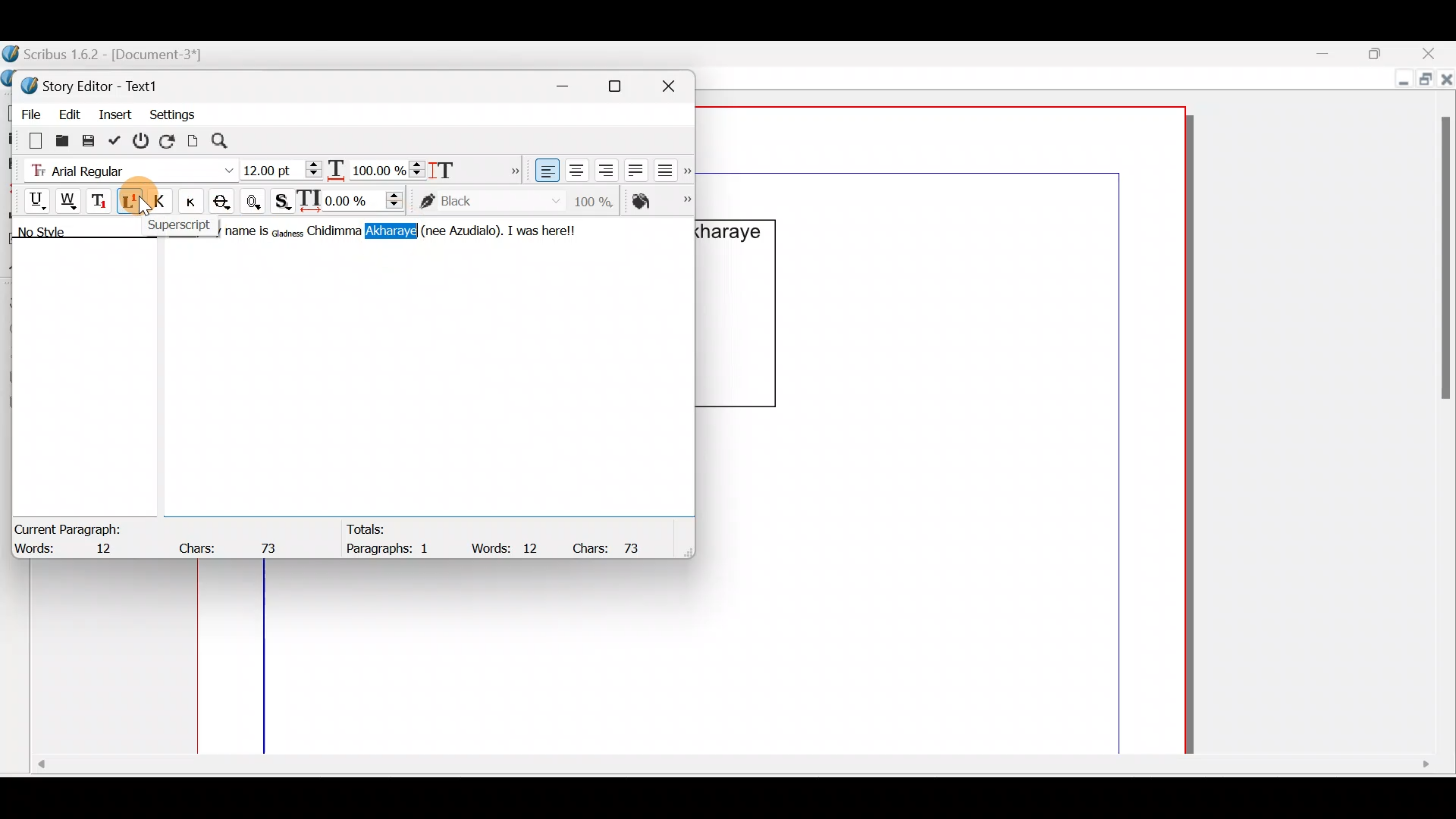 The height and width of the screenshot is (819, 1456). I want to click on File, so click(27, 111).